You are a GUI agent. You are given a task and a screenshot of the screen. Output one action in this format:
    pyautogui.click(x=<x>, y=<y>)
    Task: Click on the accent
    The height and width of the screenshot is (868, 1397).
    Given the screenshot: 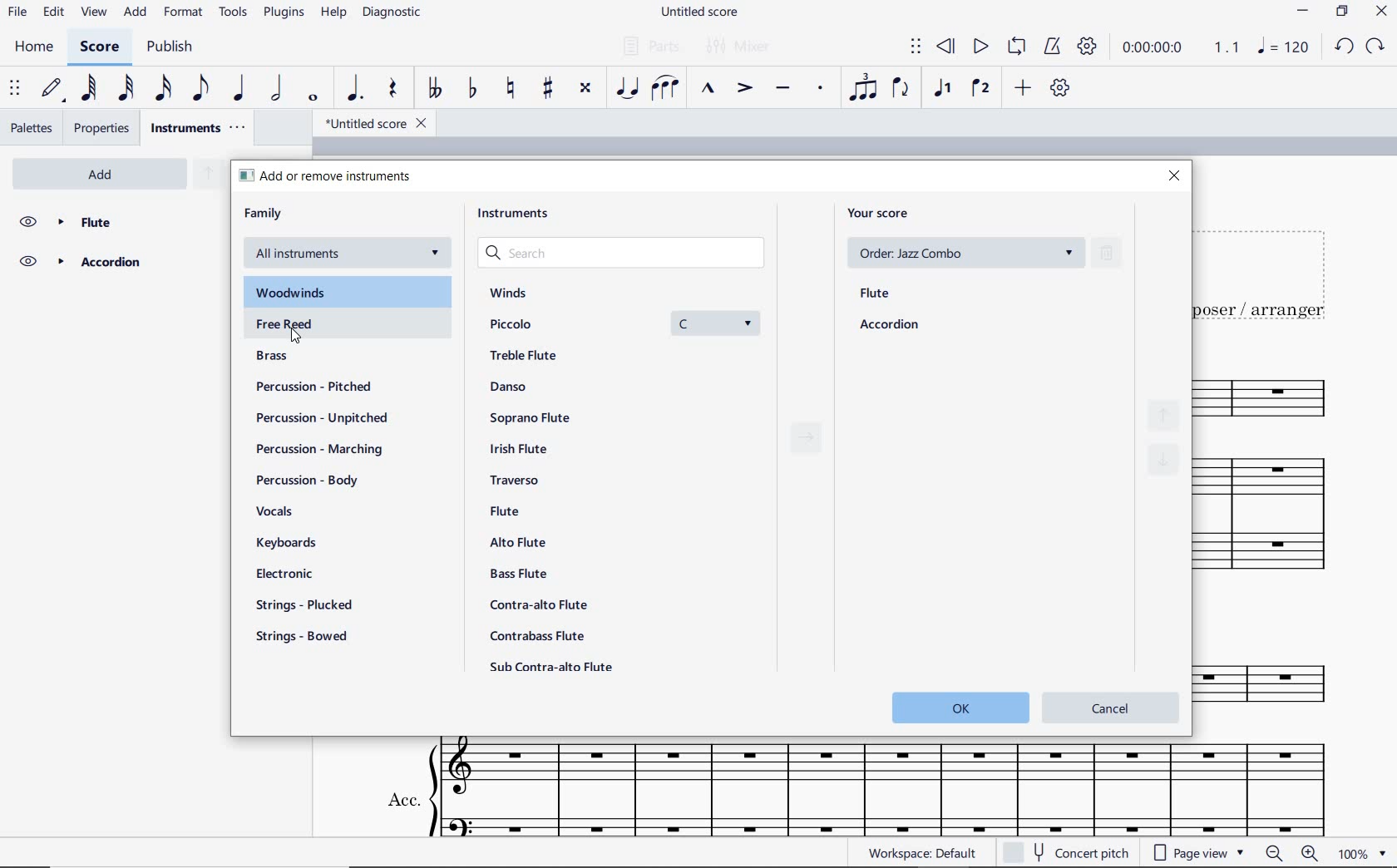 What is the action you would take?
    pyautogui.click(x=744, y=89)
    